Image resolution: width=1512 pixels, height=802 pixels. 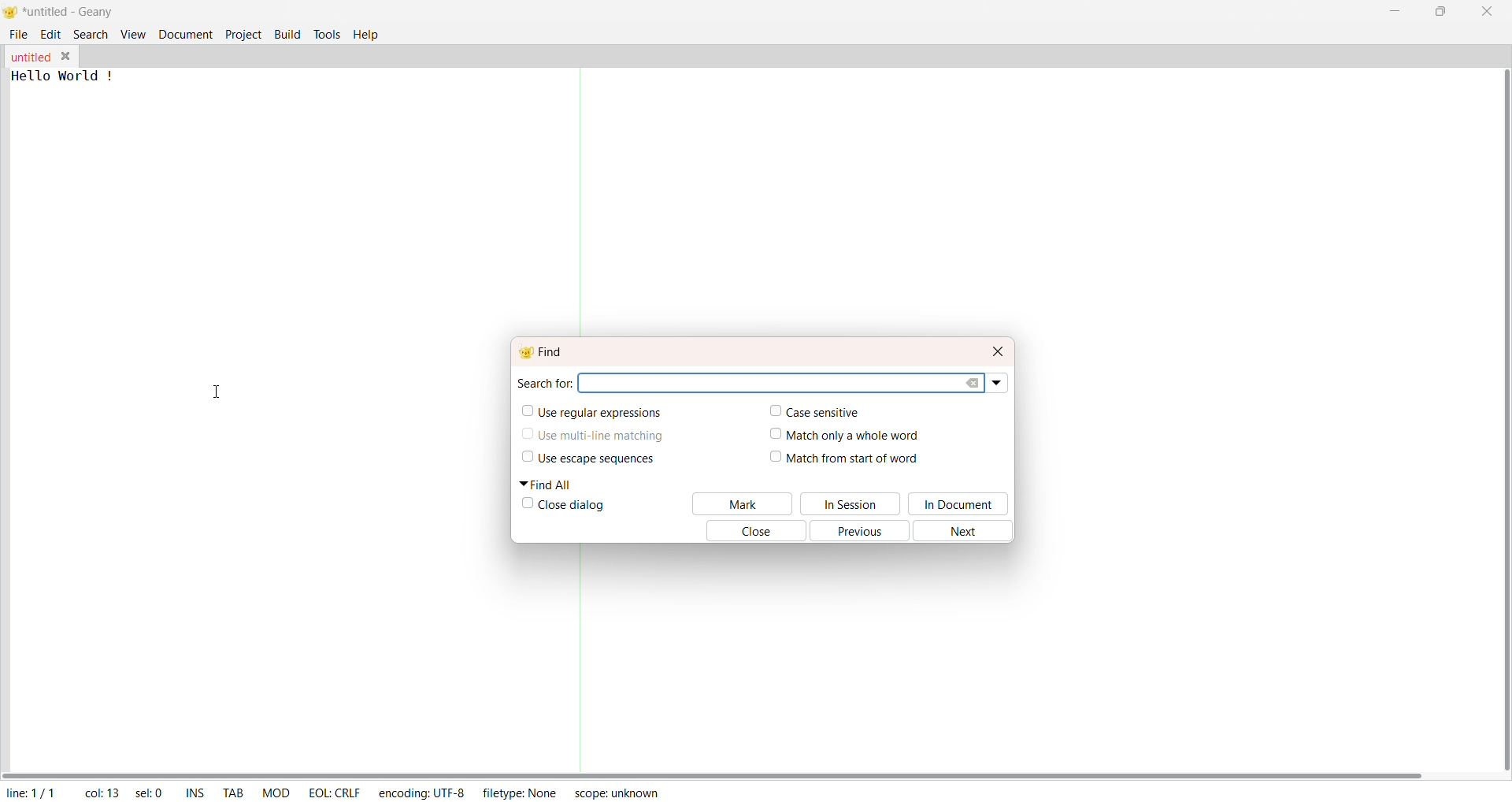 I want to click on INS, so click(x=192, y=791).